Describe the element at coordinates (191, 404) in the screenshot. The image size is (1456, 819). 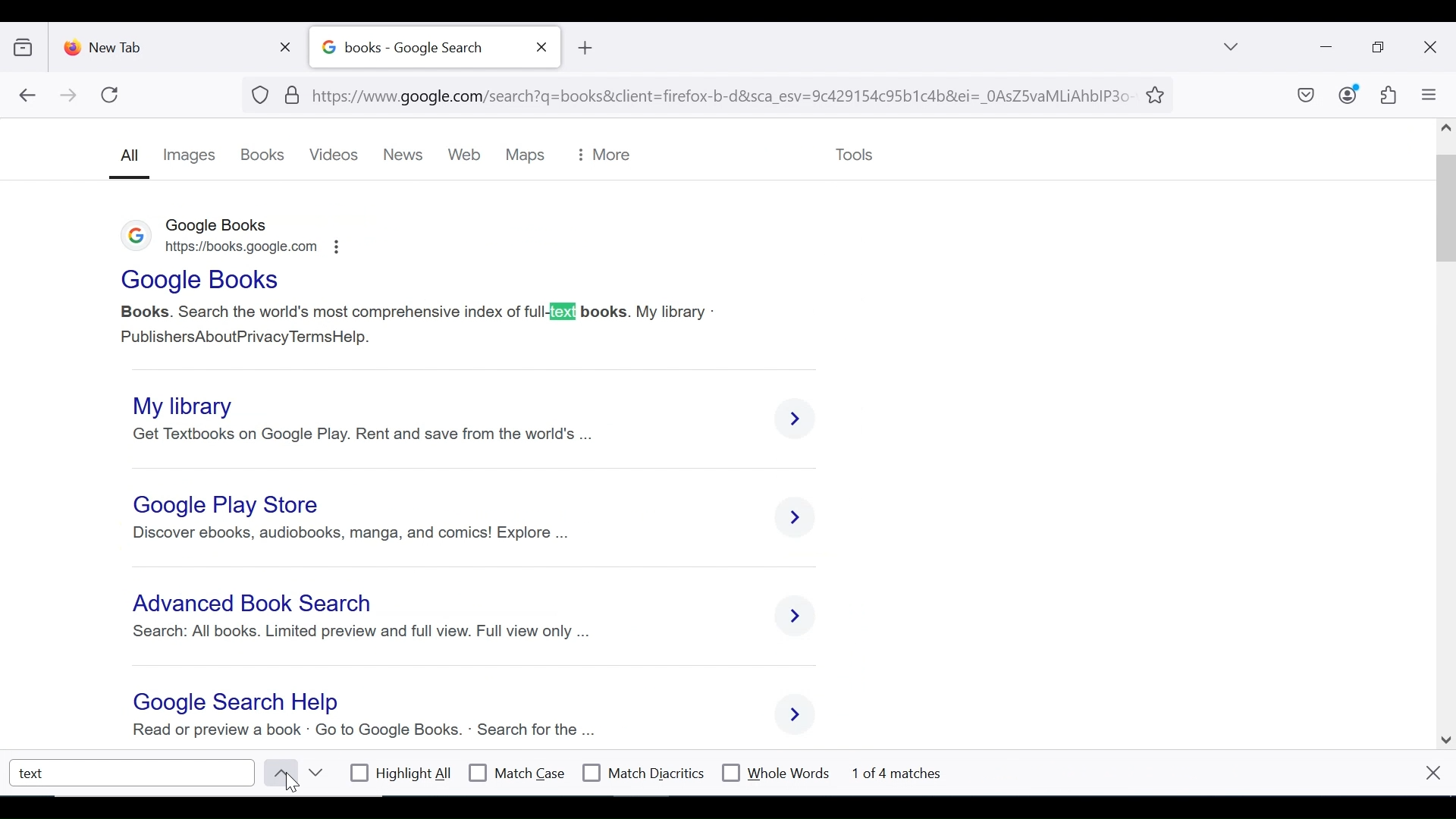
I see `My library` at that location.